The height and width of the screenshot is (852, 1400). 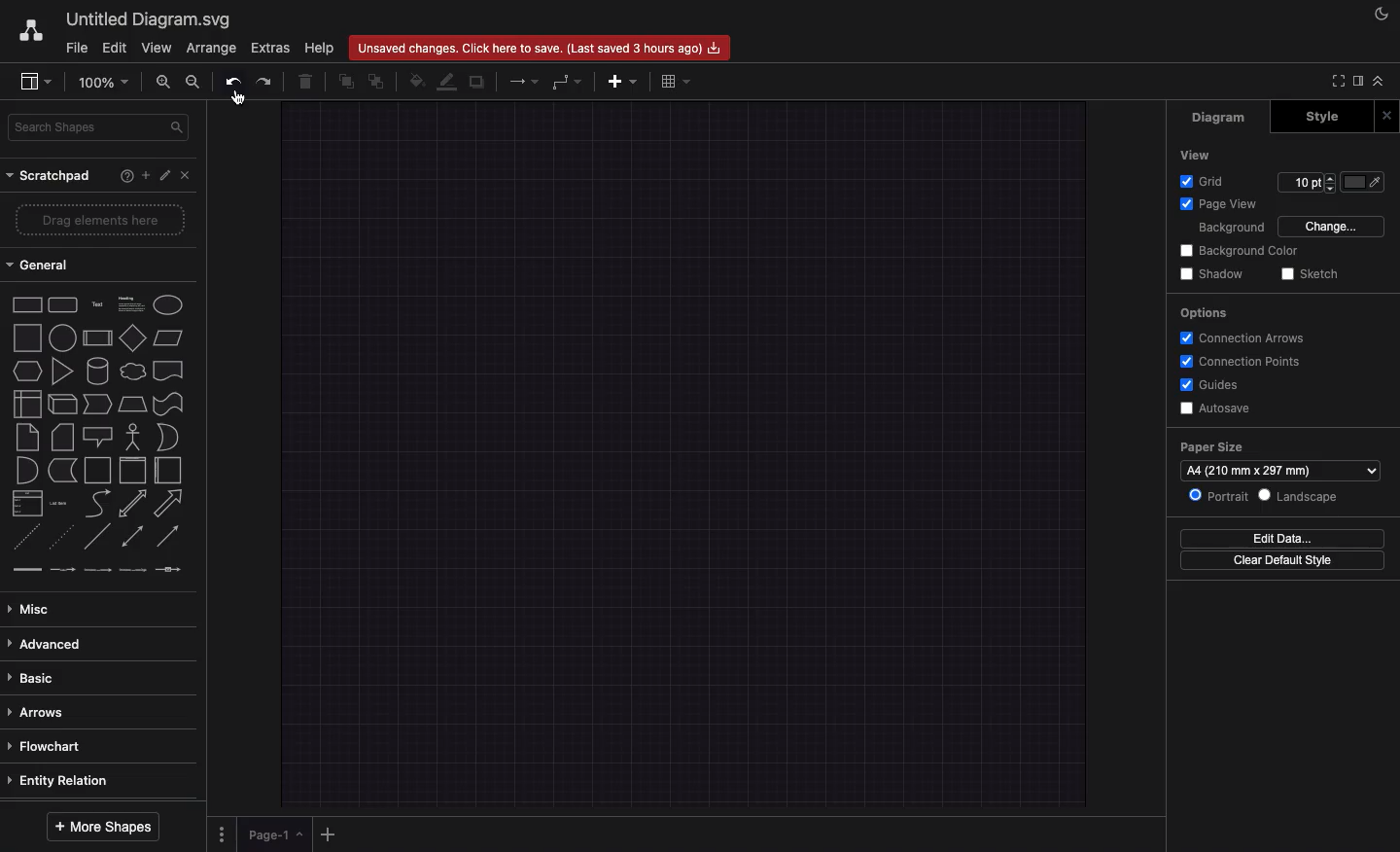 I want to click on Scratchpad, so click(x=50, y=175).